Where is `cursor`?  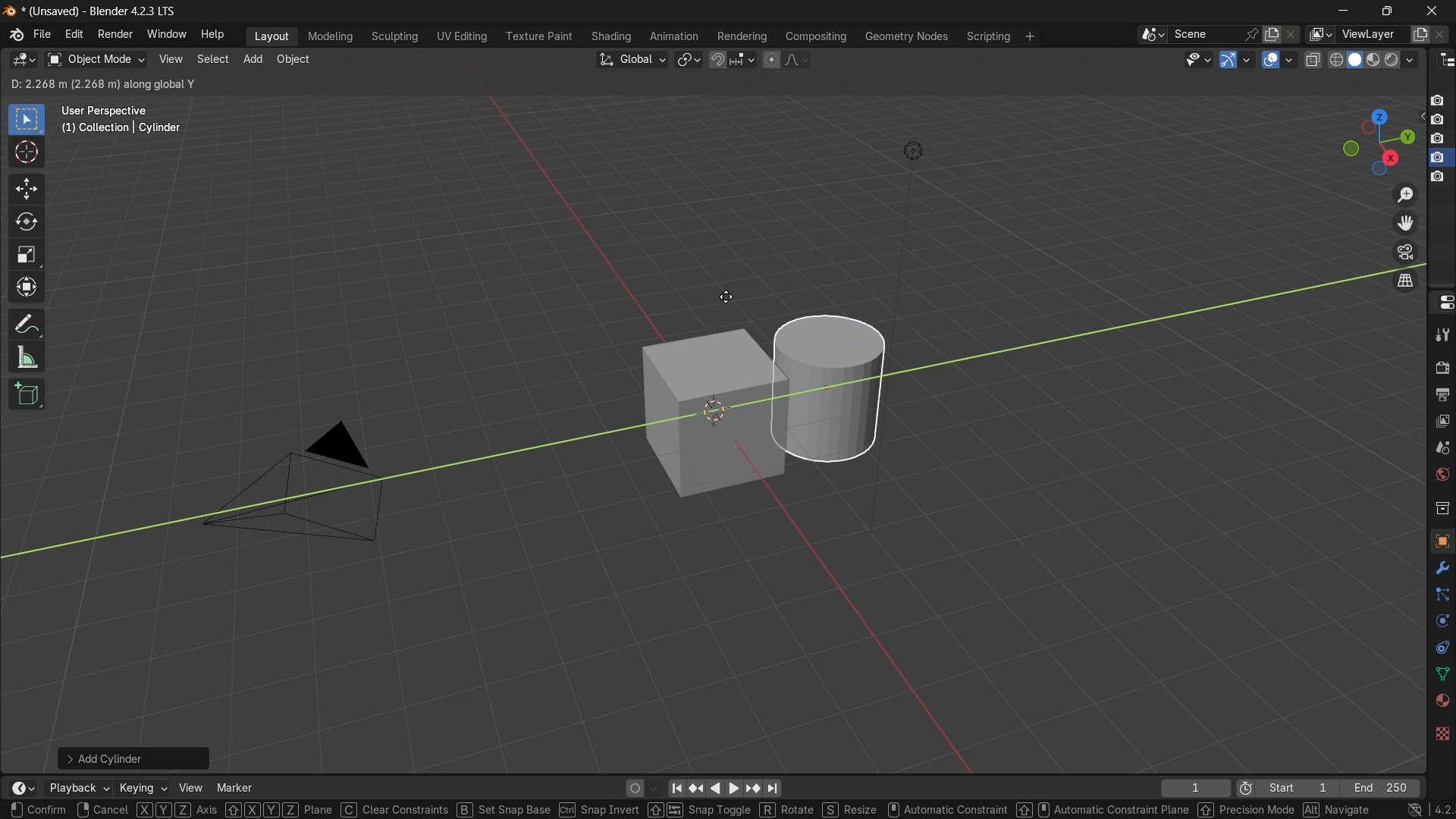 cursor is located at coordinates (729, 296).